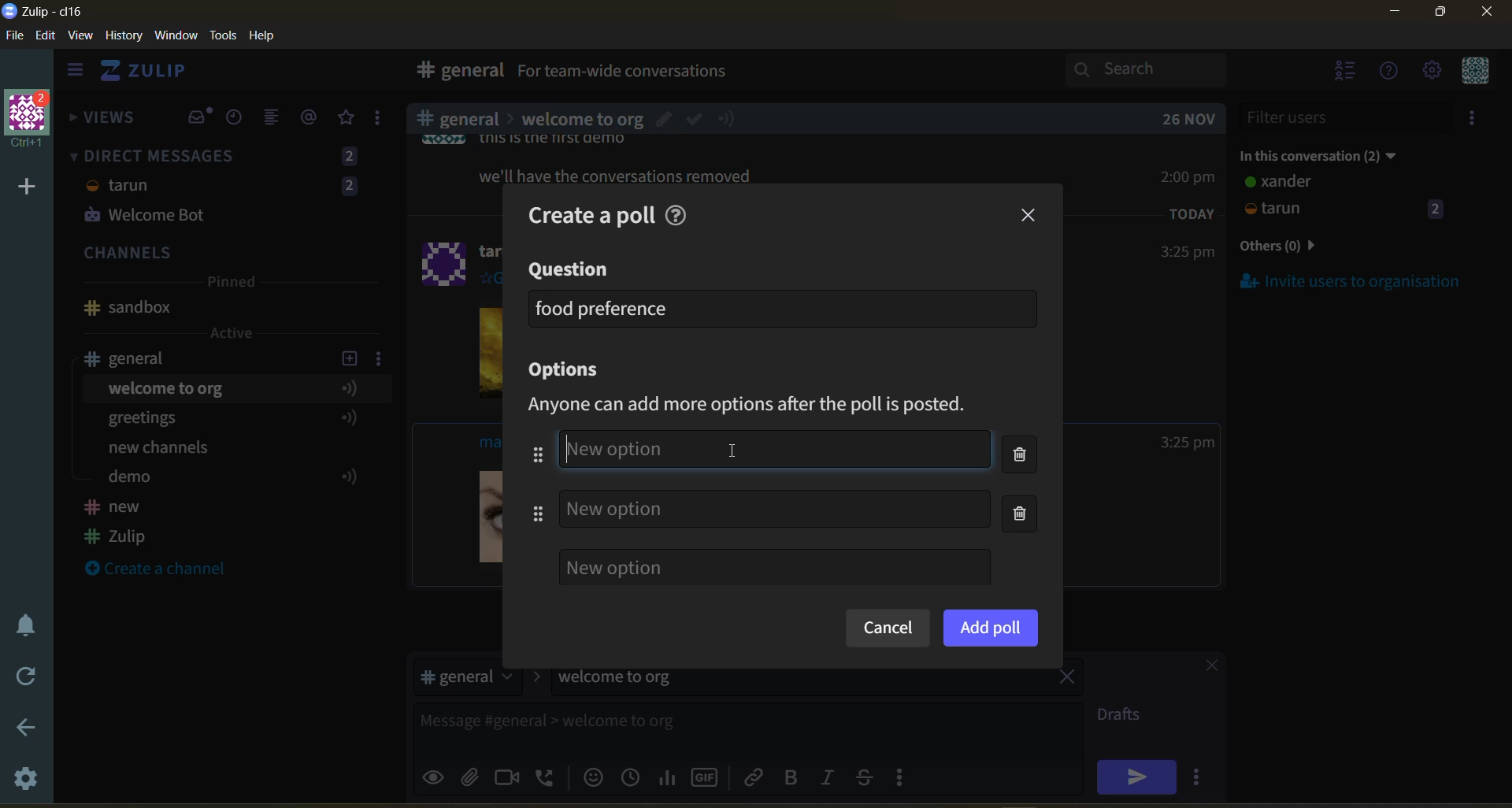 The width and height of the screenshot is (1512, 808). What do you see at coordinates (1347, 117) in the screenshot?
I see `filter users` at bounding box center [1347, 117].